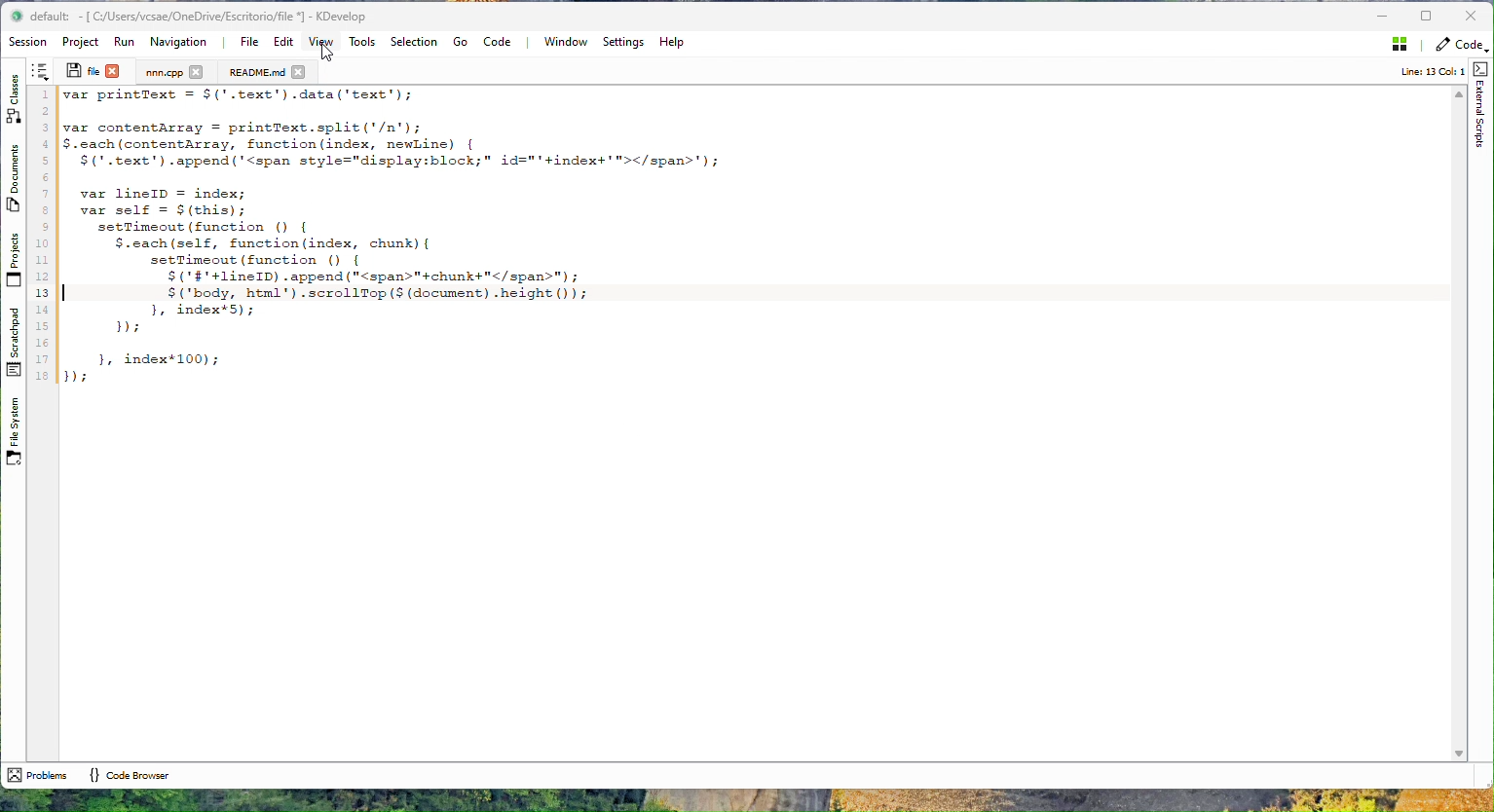  What do you see at coordinates (671, 42) in the screenshot?
I see `Help` at bounding box center [671, 42].